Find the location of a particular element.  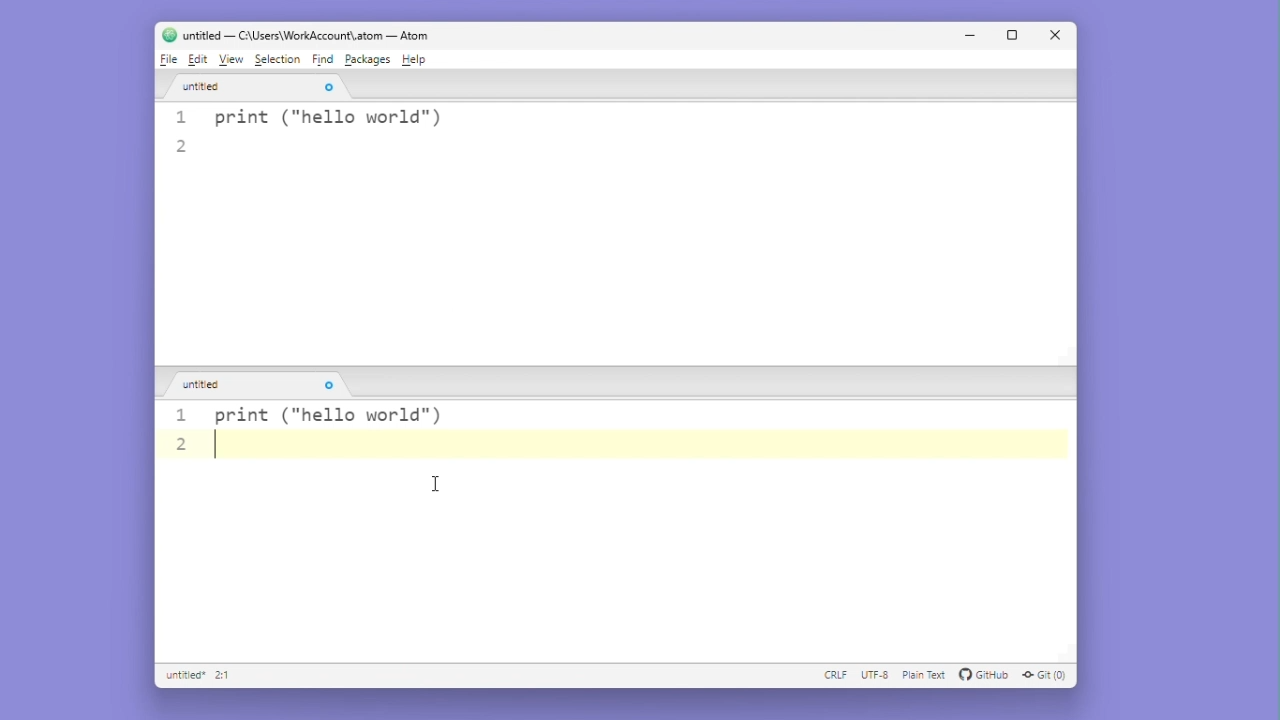

File is located at coordinates (167, 61).